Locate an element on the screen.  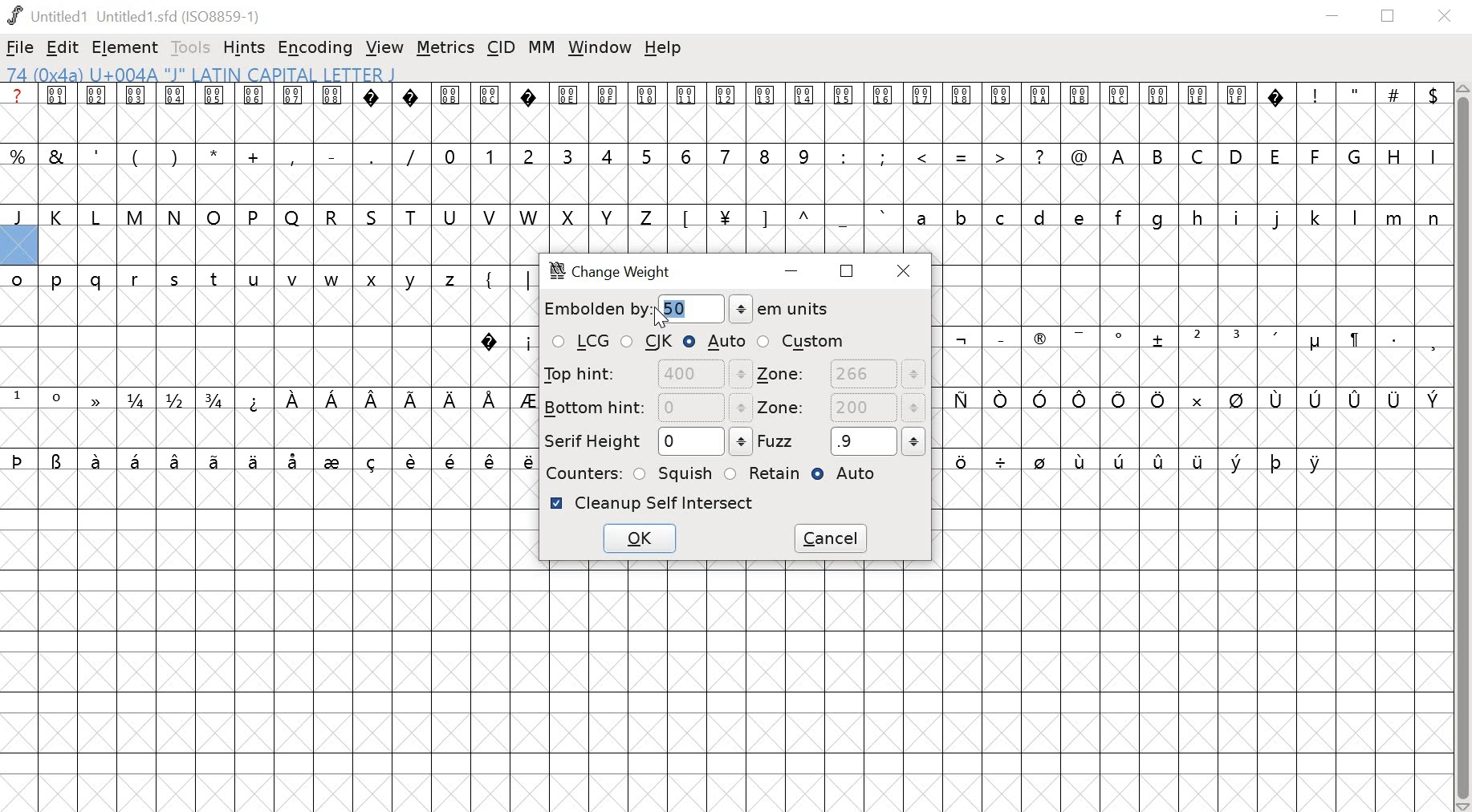
Cursor is located at coordinates (657, 316).